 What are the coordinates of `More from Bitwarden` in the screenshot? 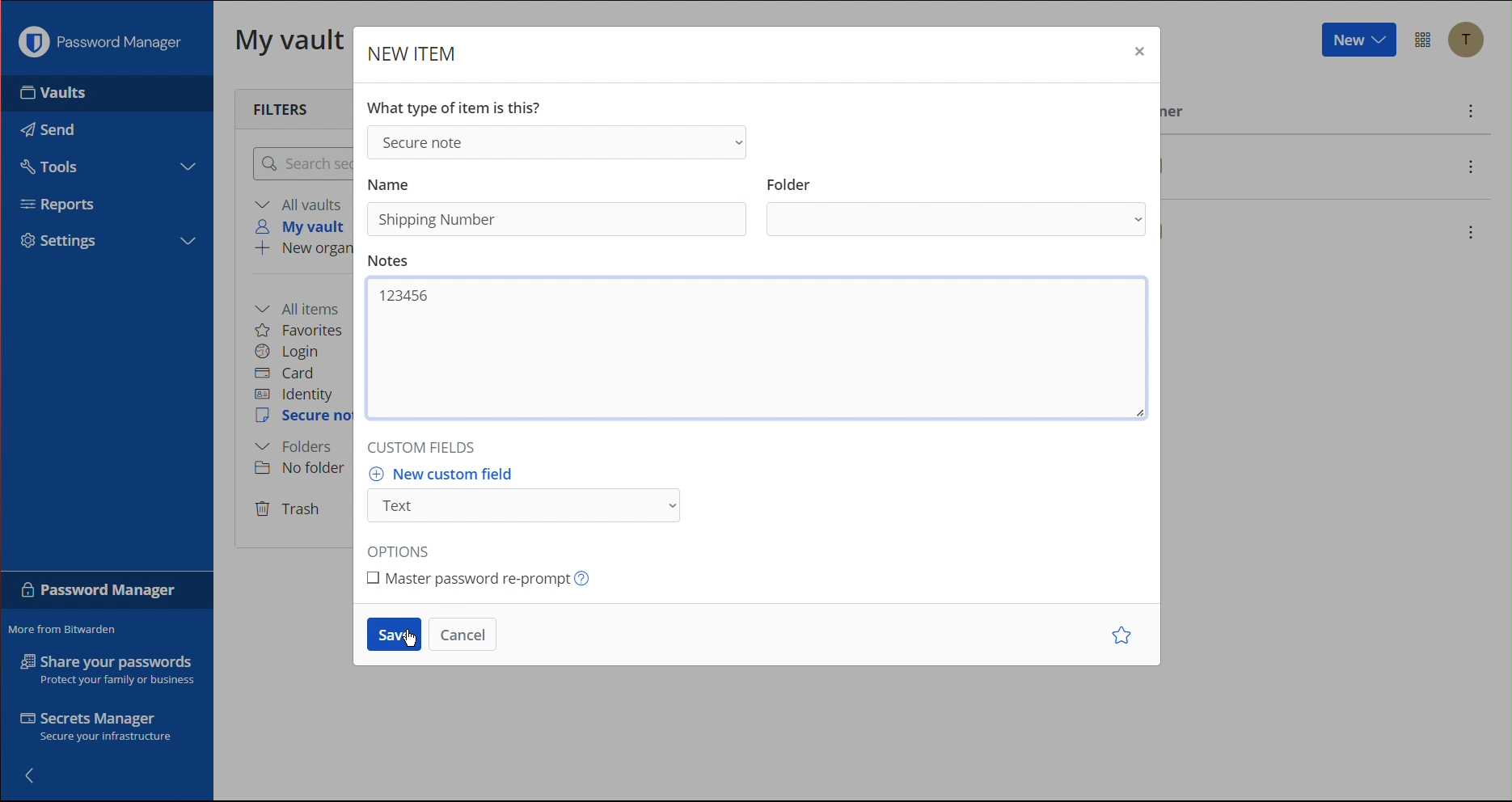 It's located at (65, 631).